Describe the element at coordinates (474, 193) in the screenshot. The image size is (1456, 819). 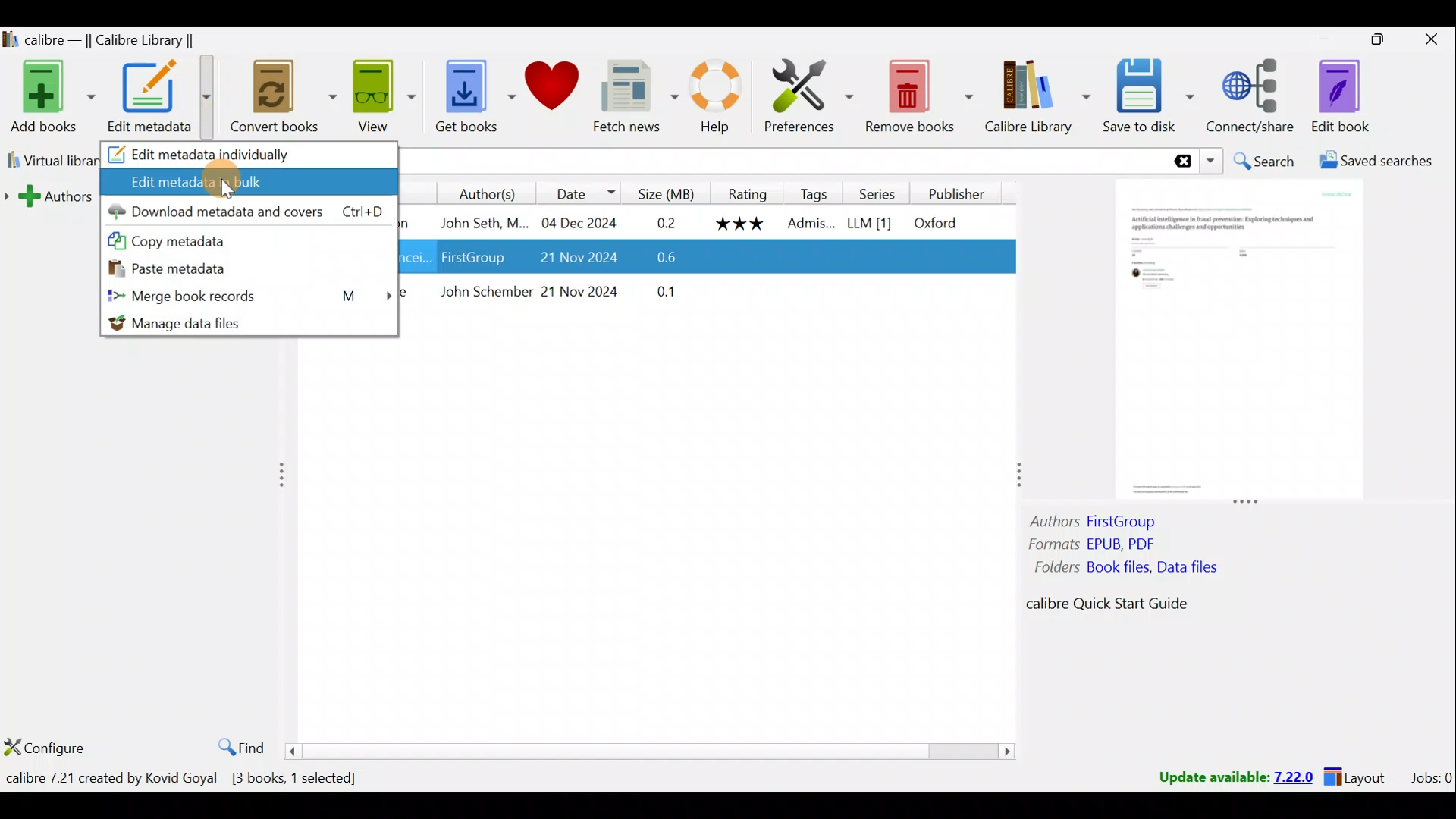
I see `Authors` at that location.